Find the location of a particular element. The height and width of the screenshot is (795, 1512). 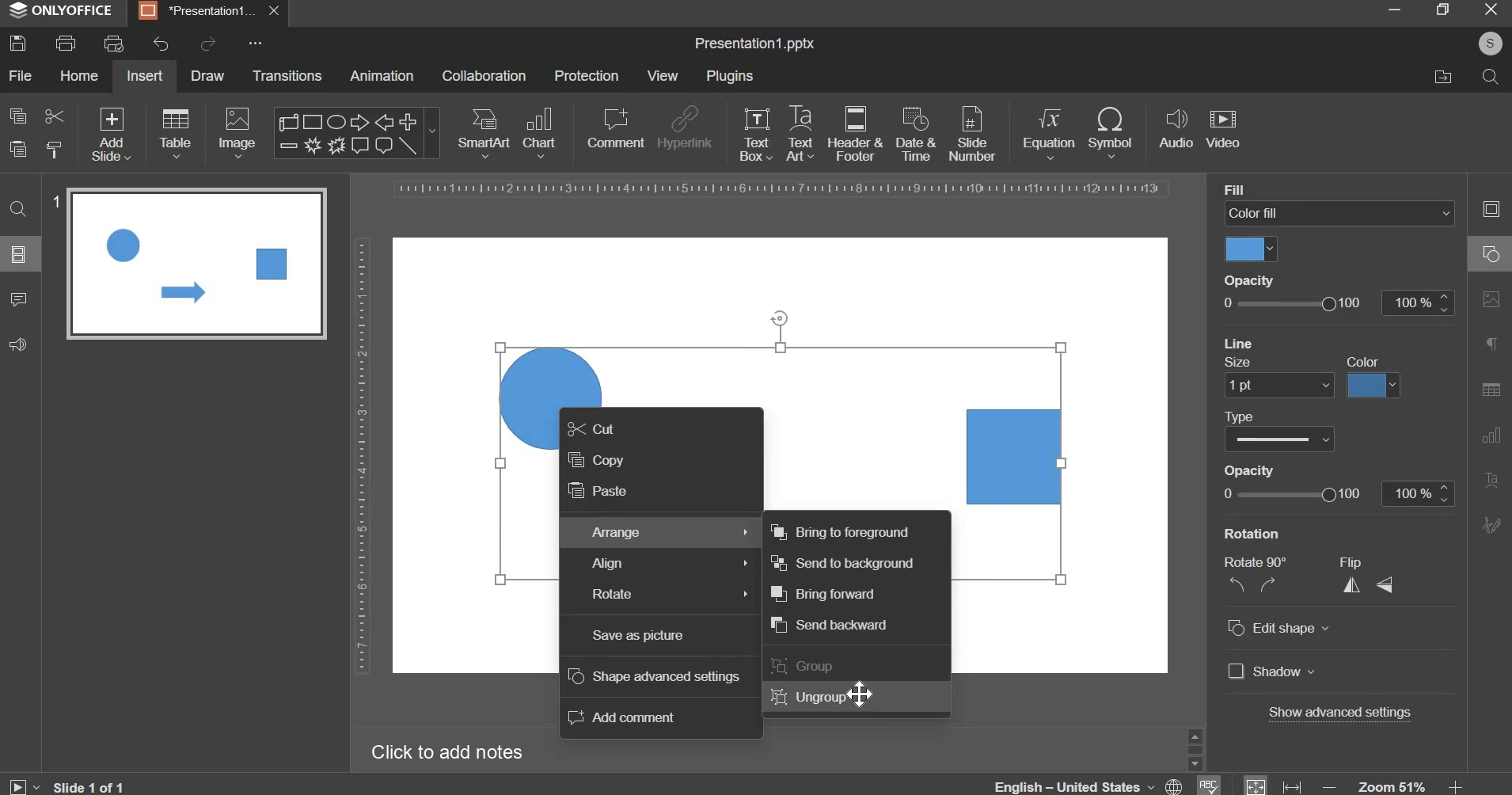

minimize is located at coordinates (1393, 9).